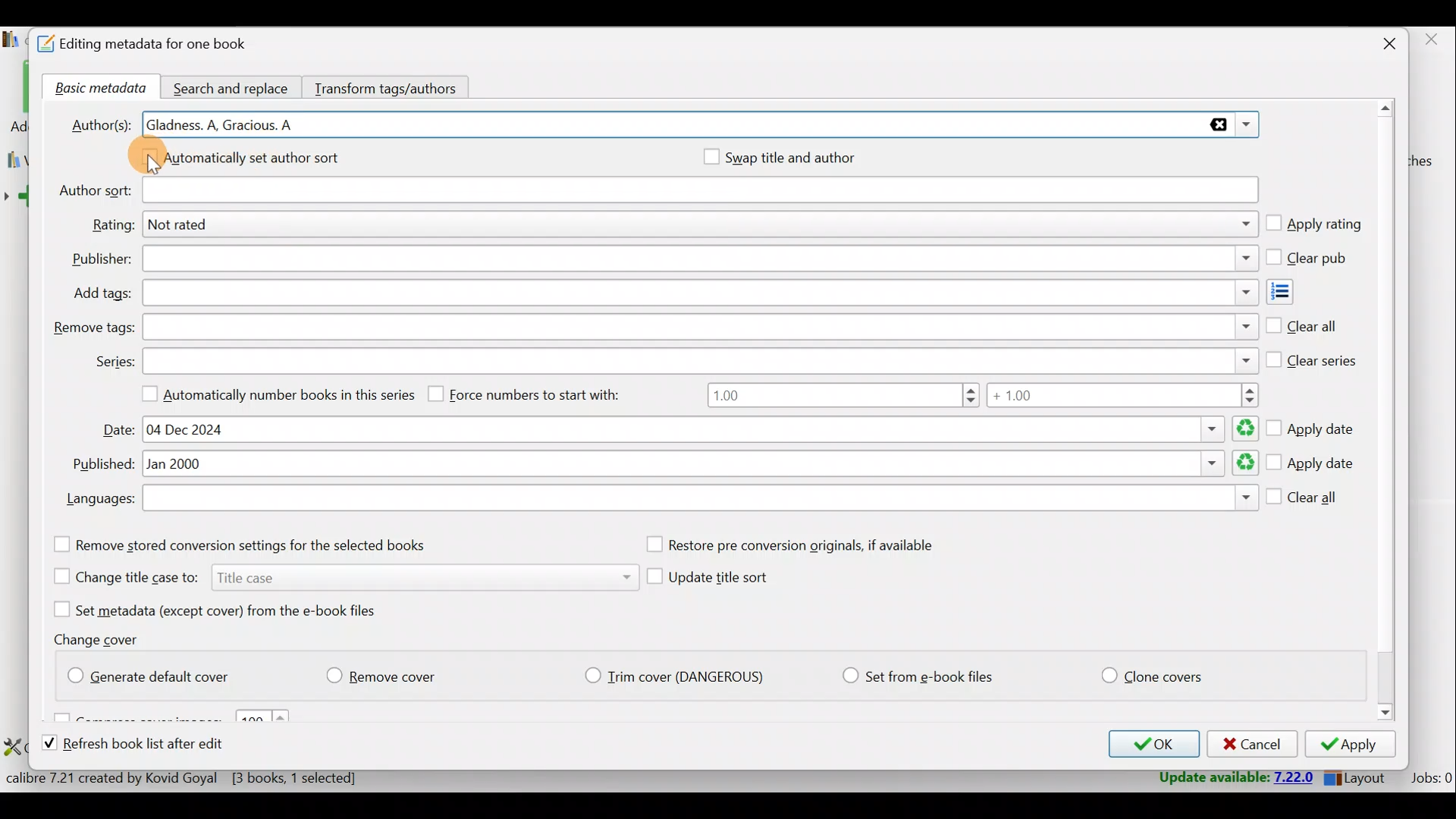 This screenshot has width=1456, height=819. Describe the element at coordinates (1382, 45) in the screenshot. I see `Close` at that location.